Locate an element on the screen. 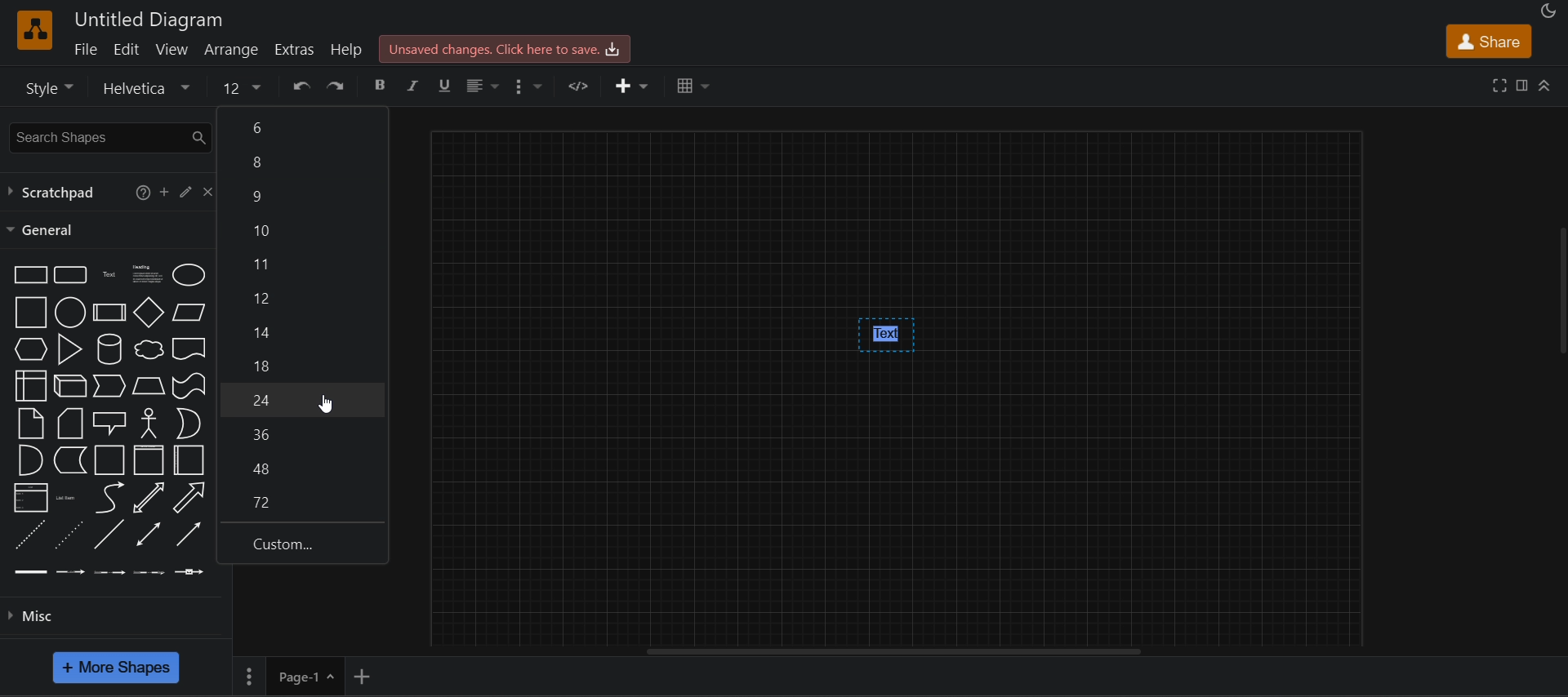  Connector with symbol is located at coordinates (189, 572).